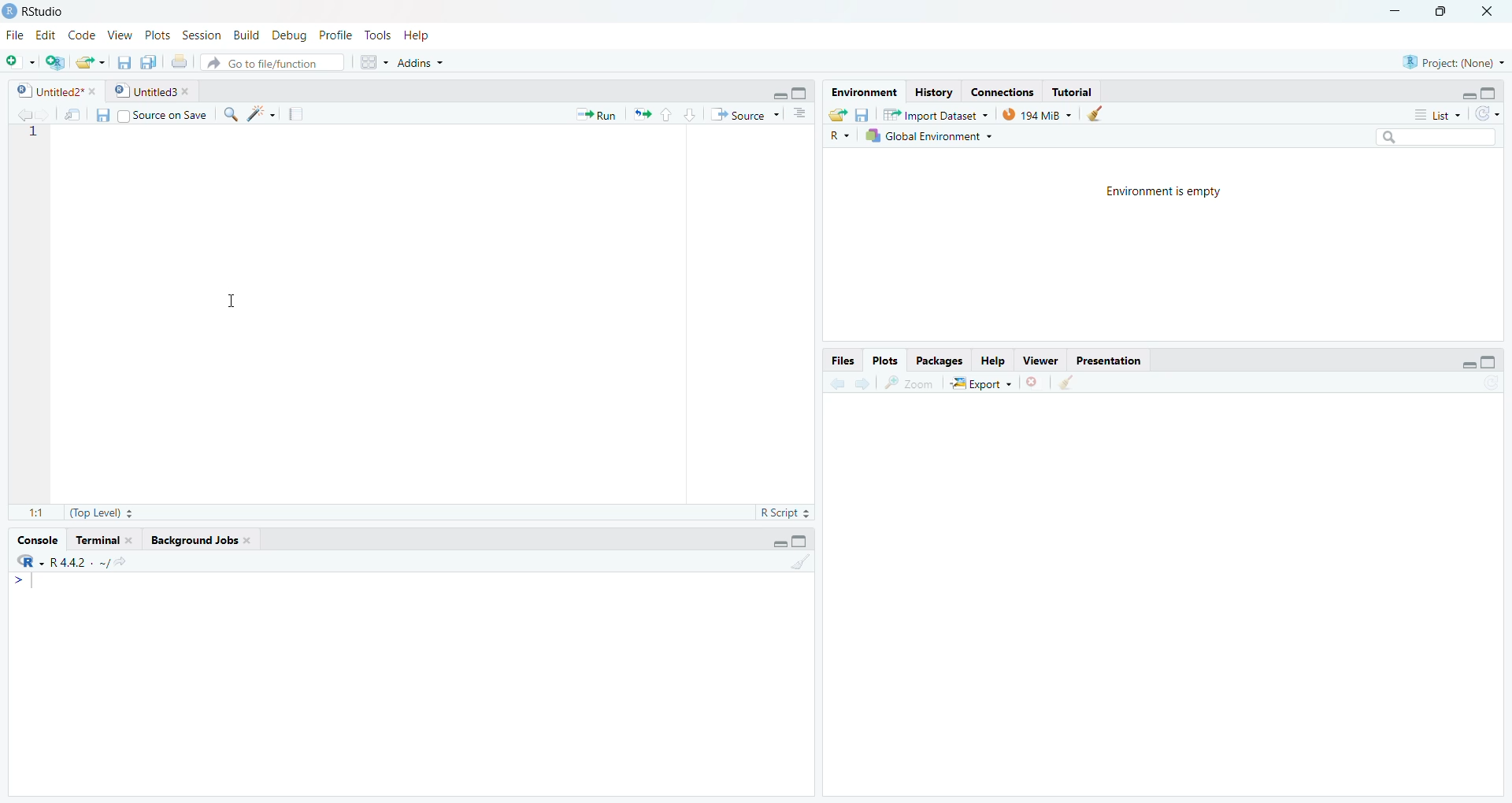 The width and height of the screenshot is (1512, 803). Describe the element at coordinates (1398, 12) in the screenshot. I see `Minimize` at that location.